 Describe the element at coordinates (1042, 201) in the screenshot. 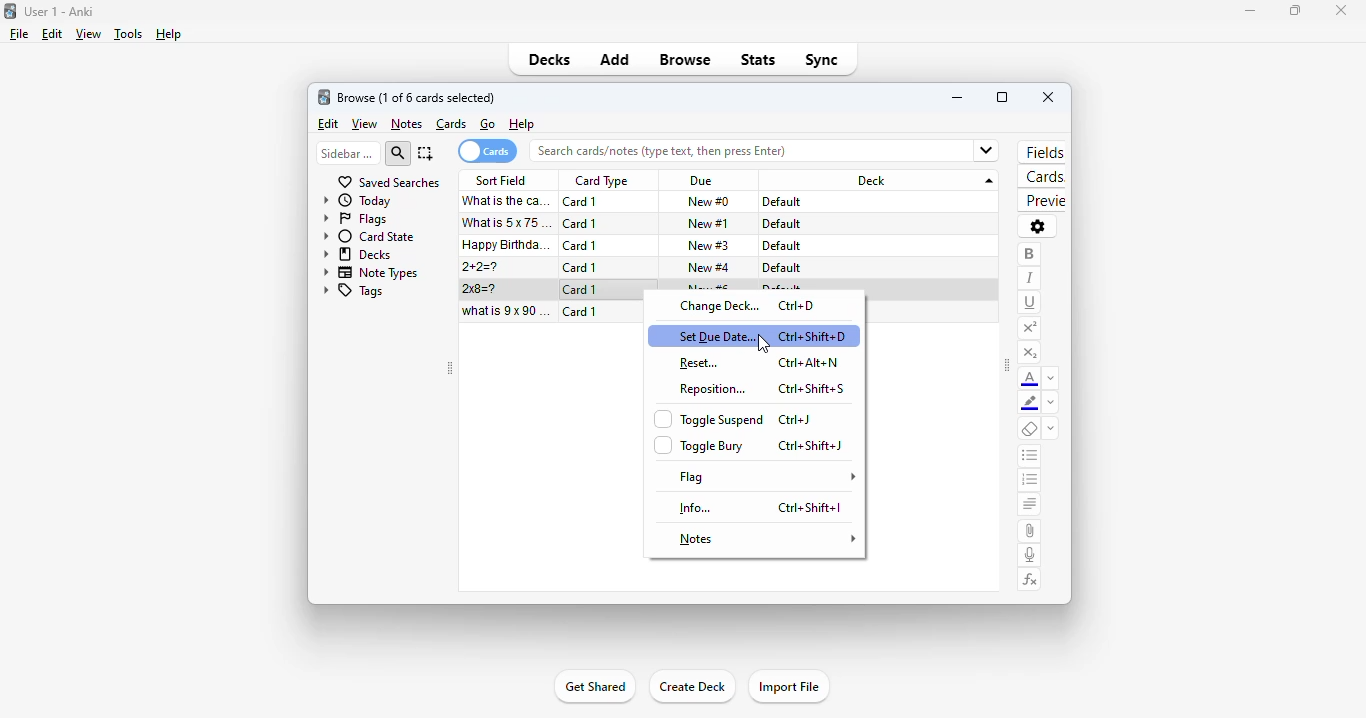

I see `preview` at that location.